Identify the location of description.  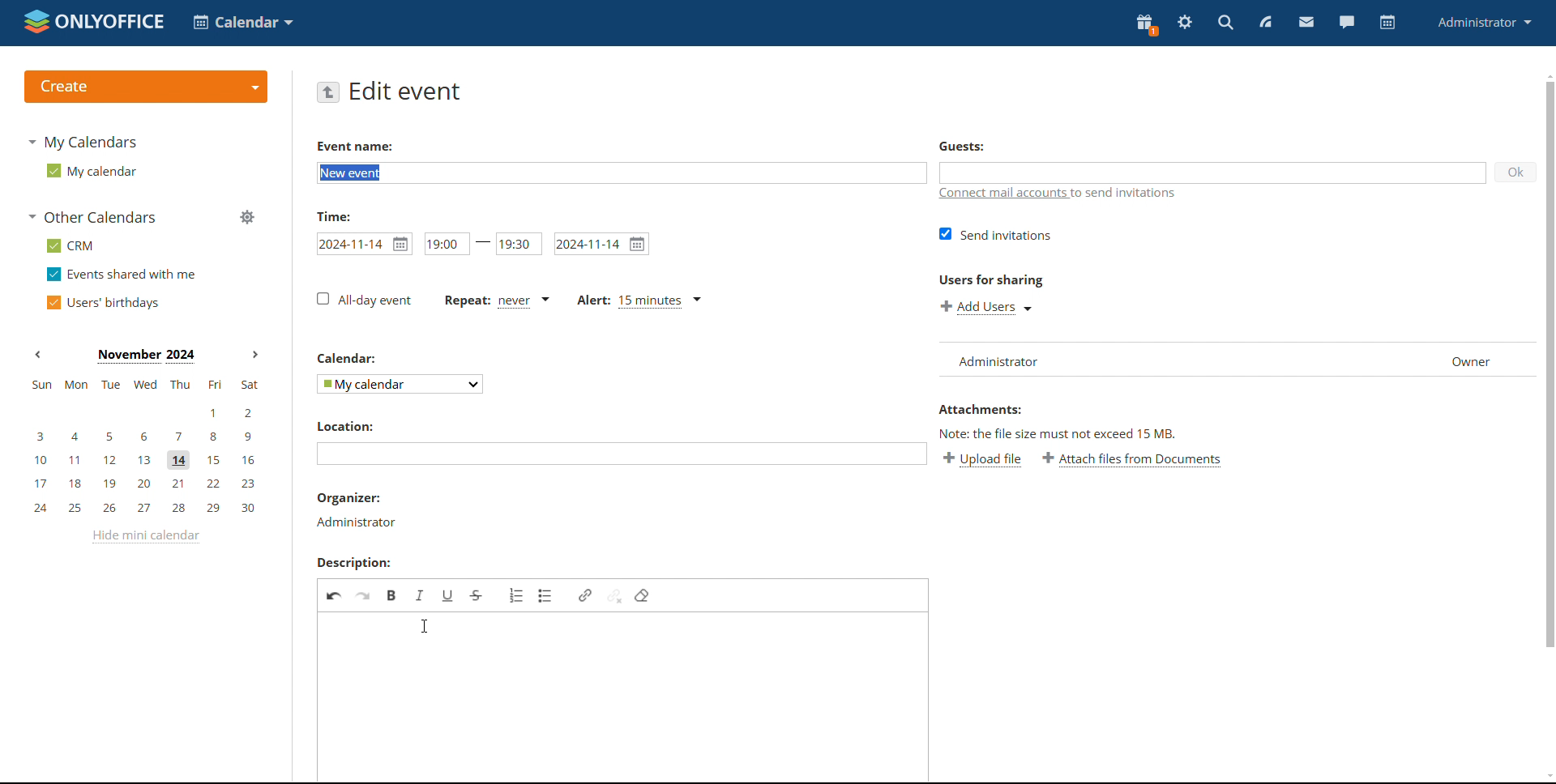
(355, 562).